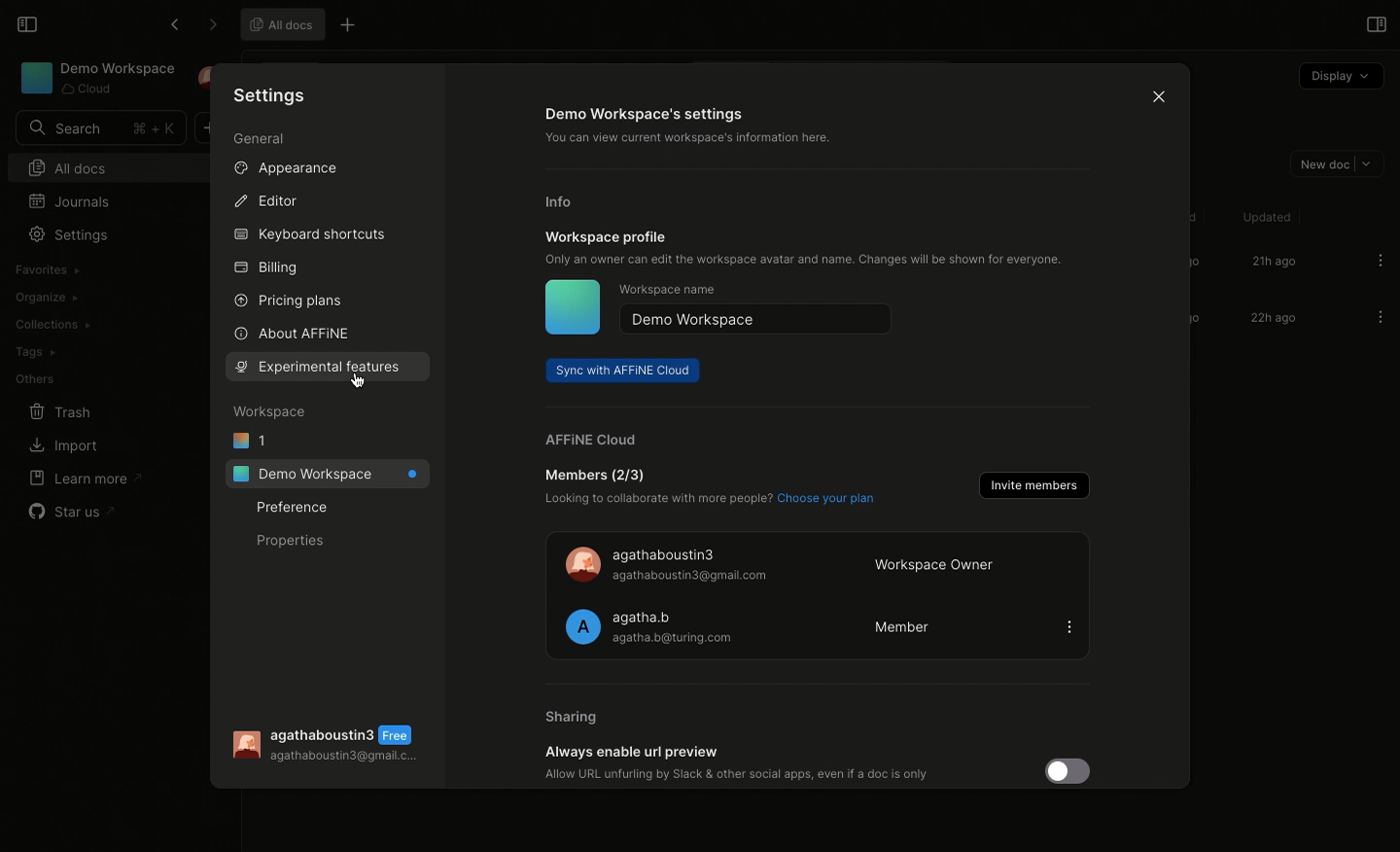 The image size is (1400, 852). I want to click on Selecting features, so click(327, 367).